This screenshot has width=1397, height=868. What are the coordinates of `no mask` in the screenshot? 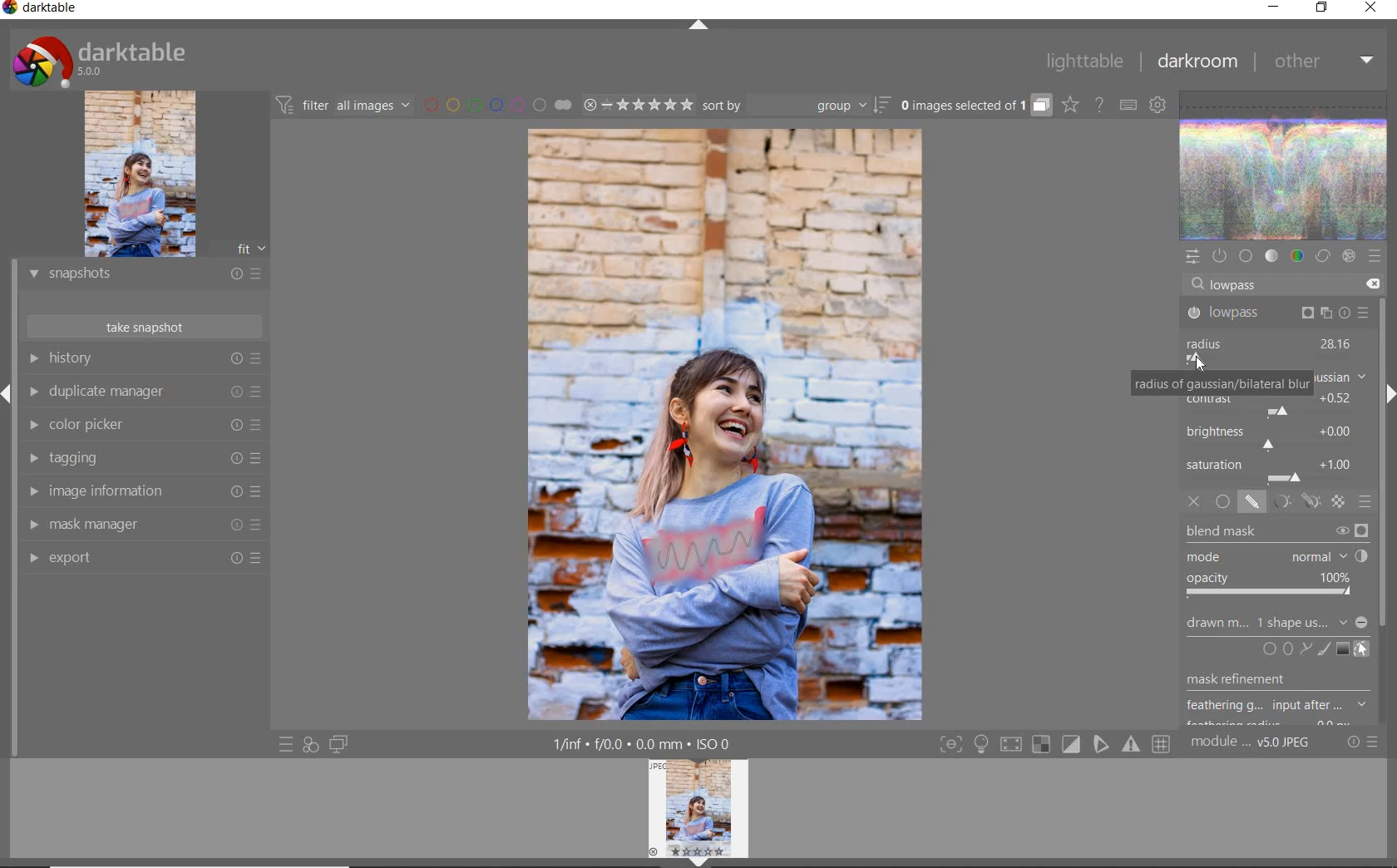 It's located at (1310, 624).